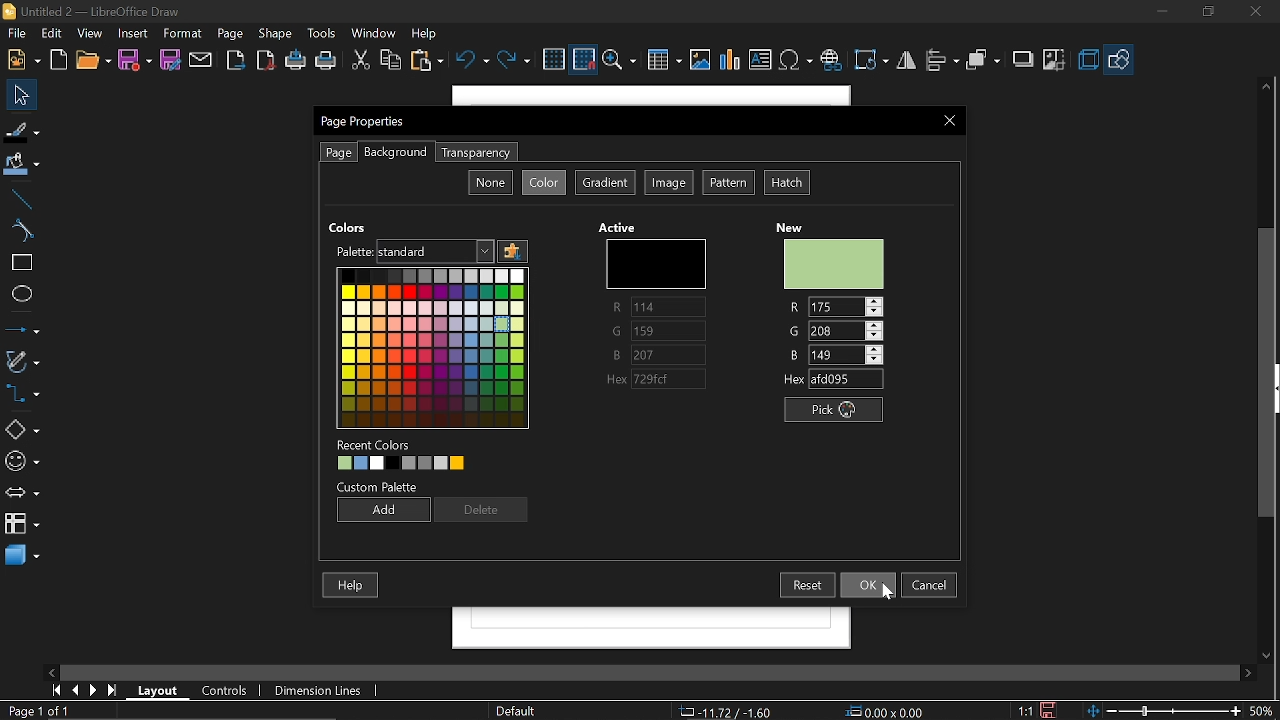 Image resolution: width=1280 pixels, height=720 pixels. I want to click on Untitled 2 - LibreOffice Draw, so click(101, 10).